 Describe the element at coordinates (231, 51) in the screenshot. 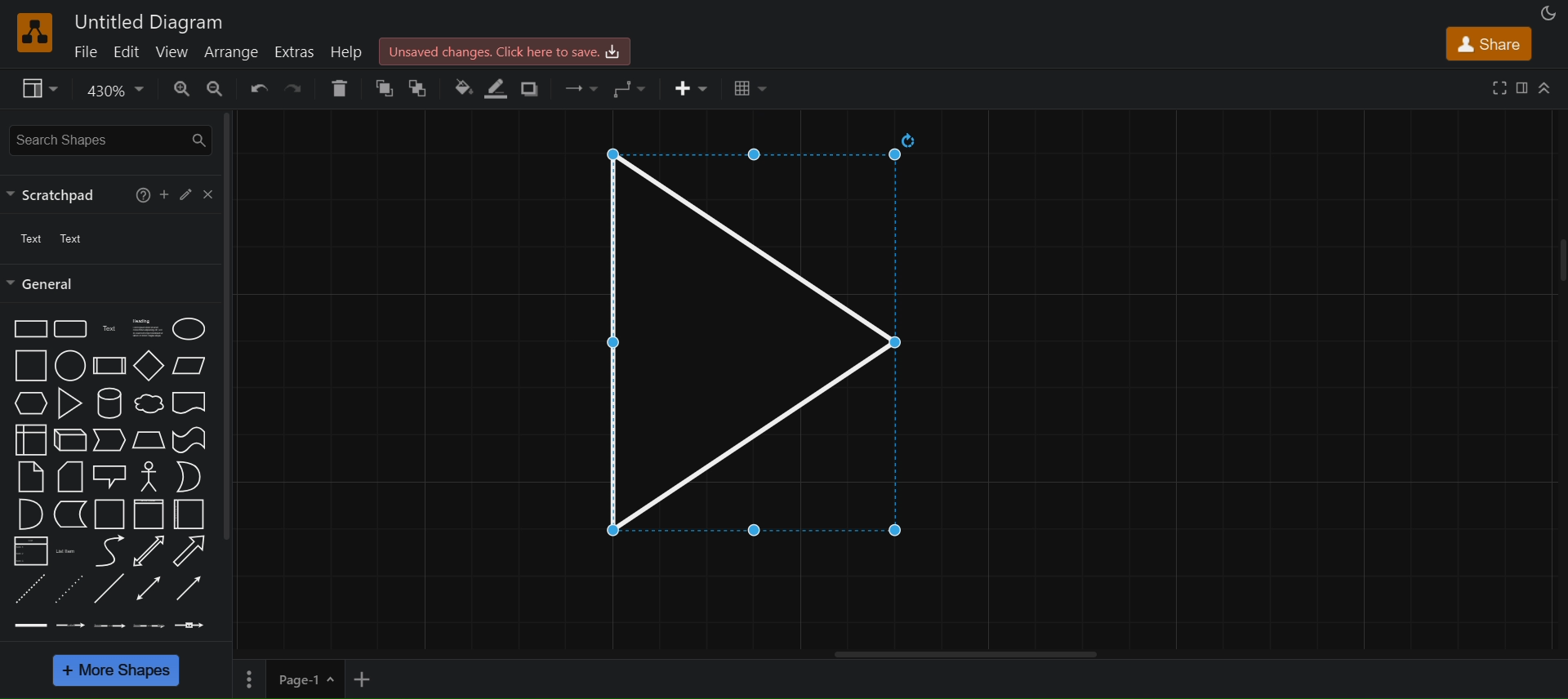

I see `arrange` at that location.